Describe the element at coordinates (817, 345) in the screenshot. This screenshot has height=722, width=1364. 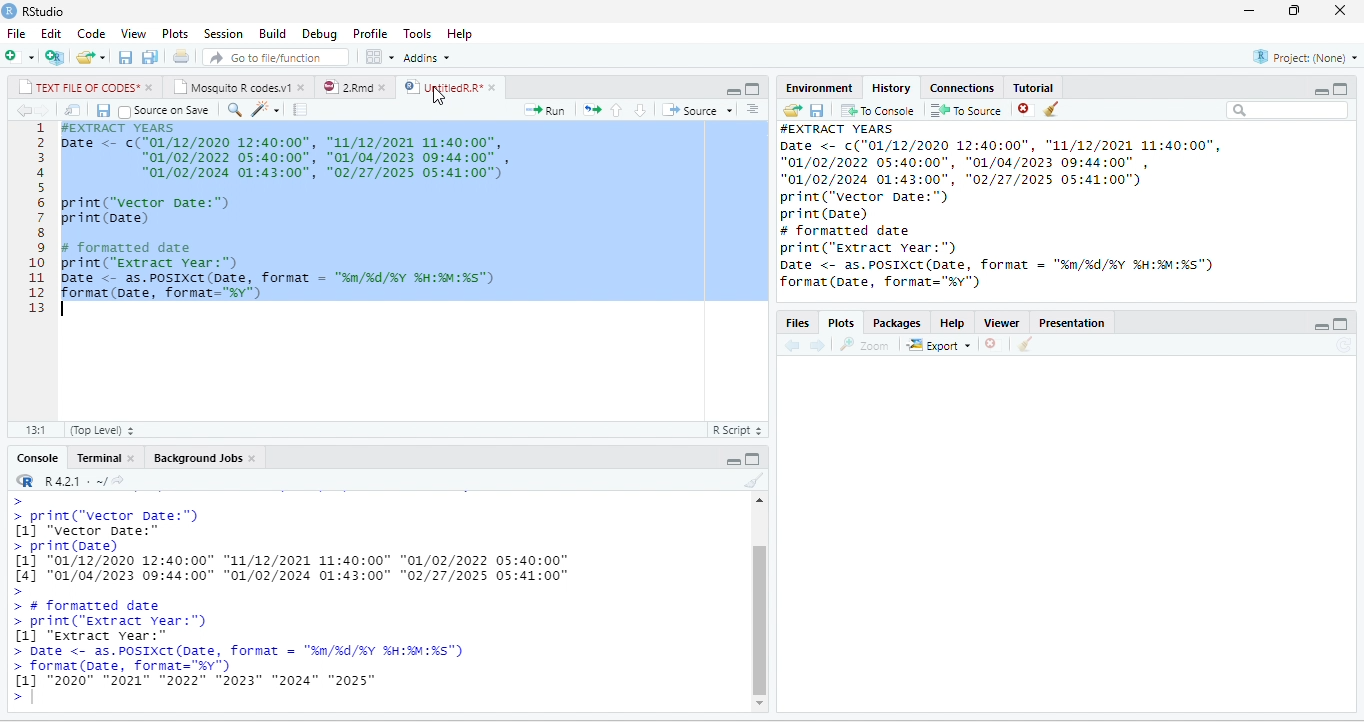
I see `forward` at that location.